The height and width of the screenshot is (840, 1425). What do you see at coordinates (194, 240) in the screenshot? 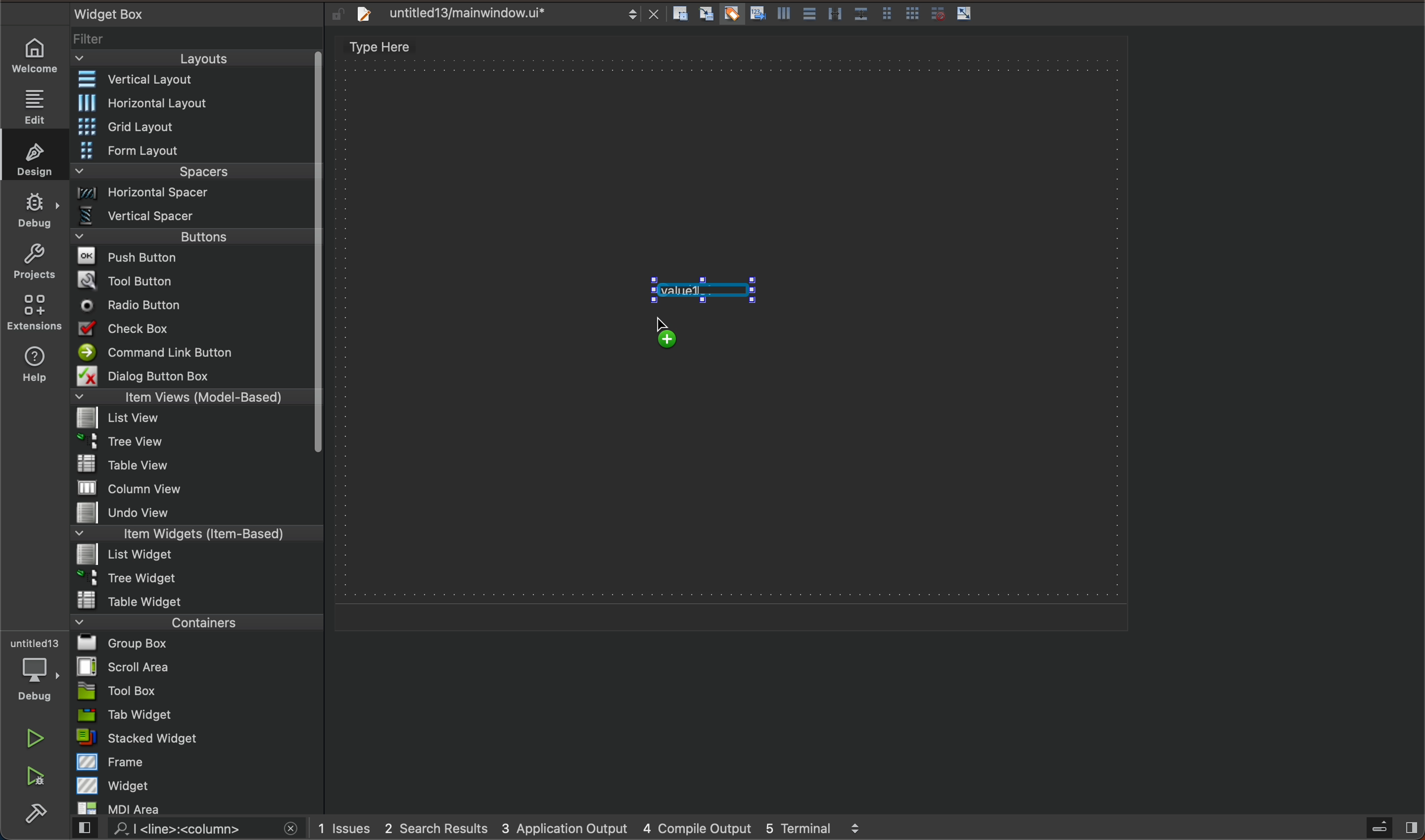
I see `` at bounding box center [194, 240].